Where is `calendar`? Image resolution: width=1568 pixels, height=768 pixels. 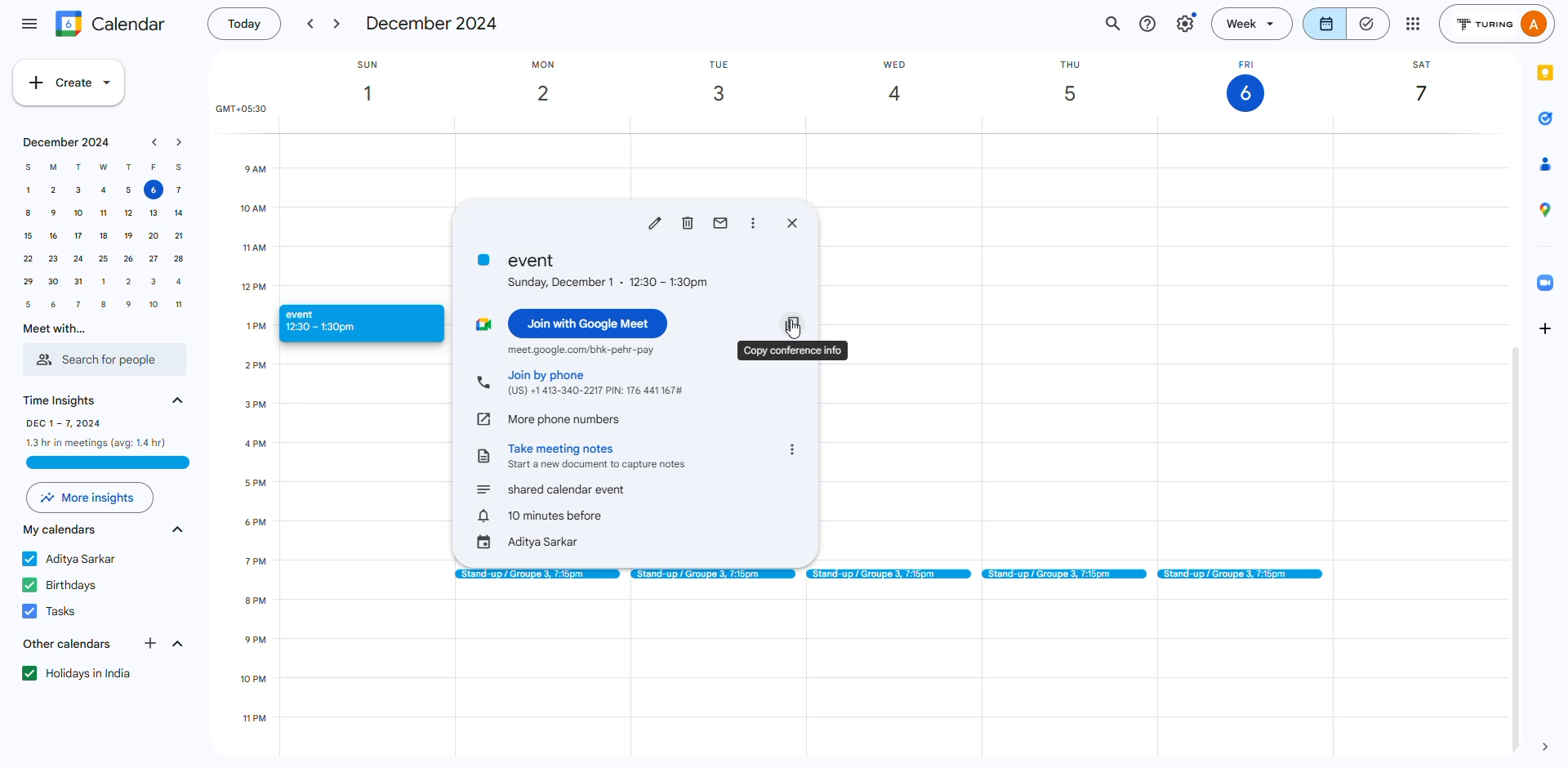 calendar is located at coordinates (111, 24).